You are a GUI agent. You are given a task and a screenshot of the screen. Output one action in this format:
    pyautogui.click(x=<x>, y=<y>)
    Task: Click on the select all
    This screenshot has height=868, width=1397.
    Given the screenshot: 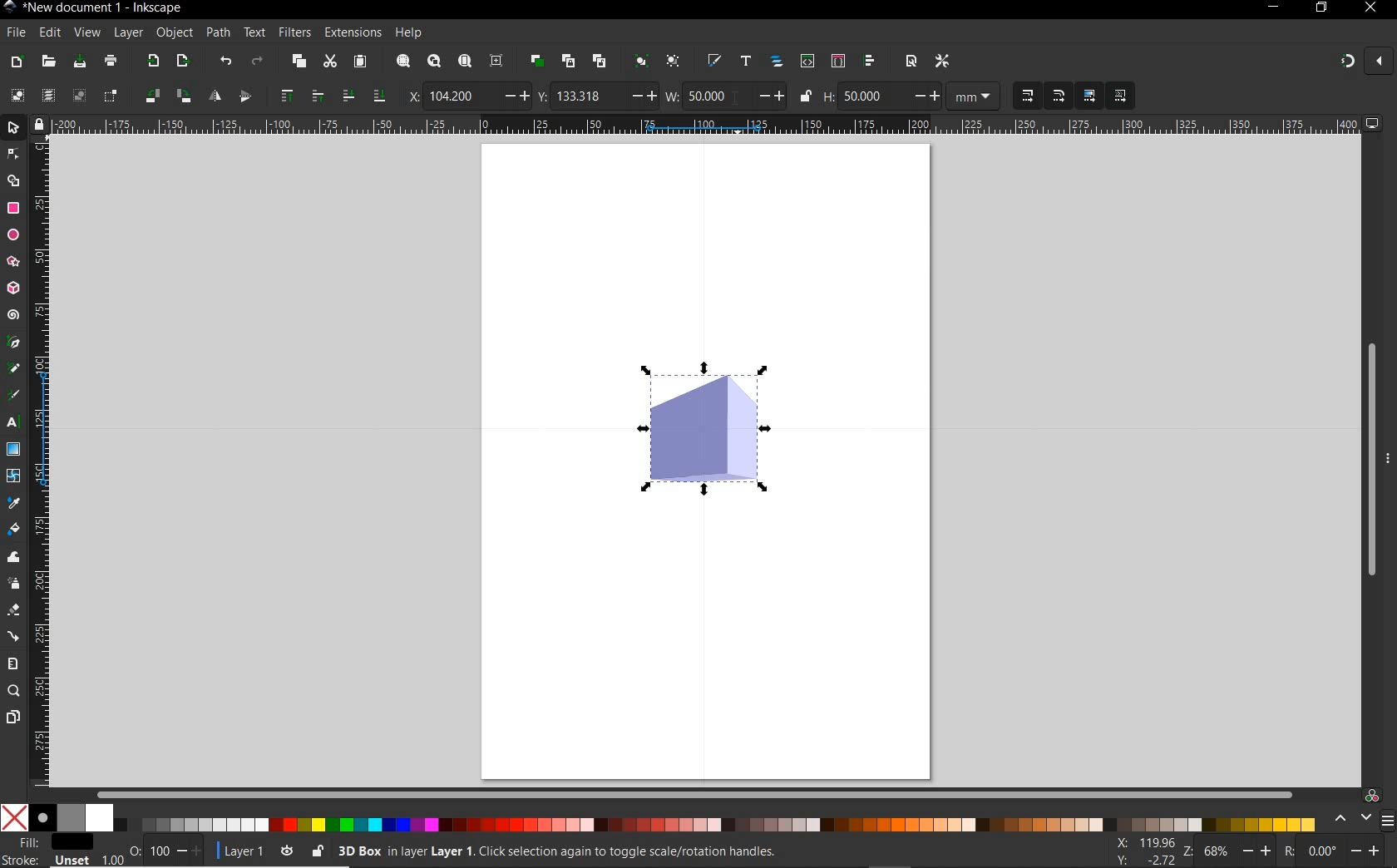 What is the action you would take?
    pyautogui.click(x=18, y=93)
    